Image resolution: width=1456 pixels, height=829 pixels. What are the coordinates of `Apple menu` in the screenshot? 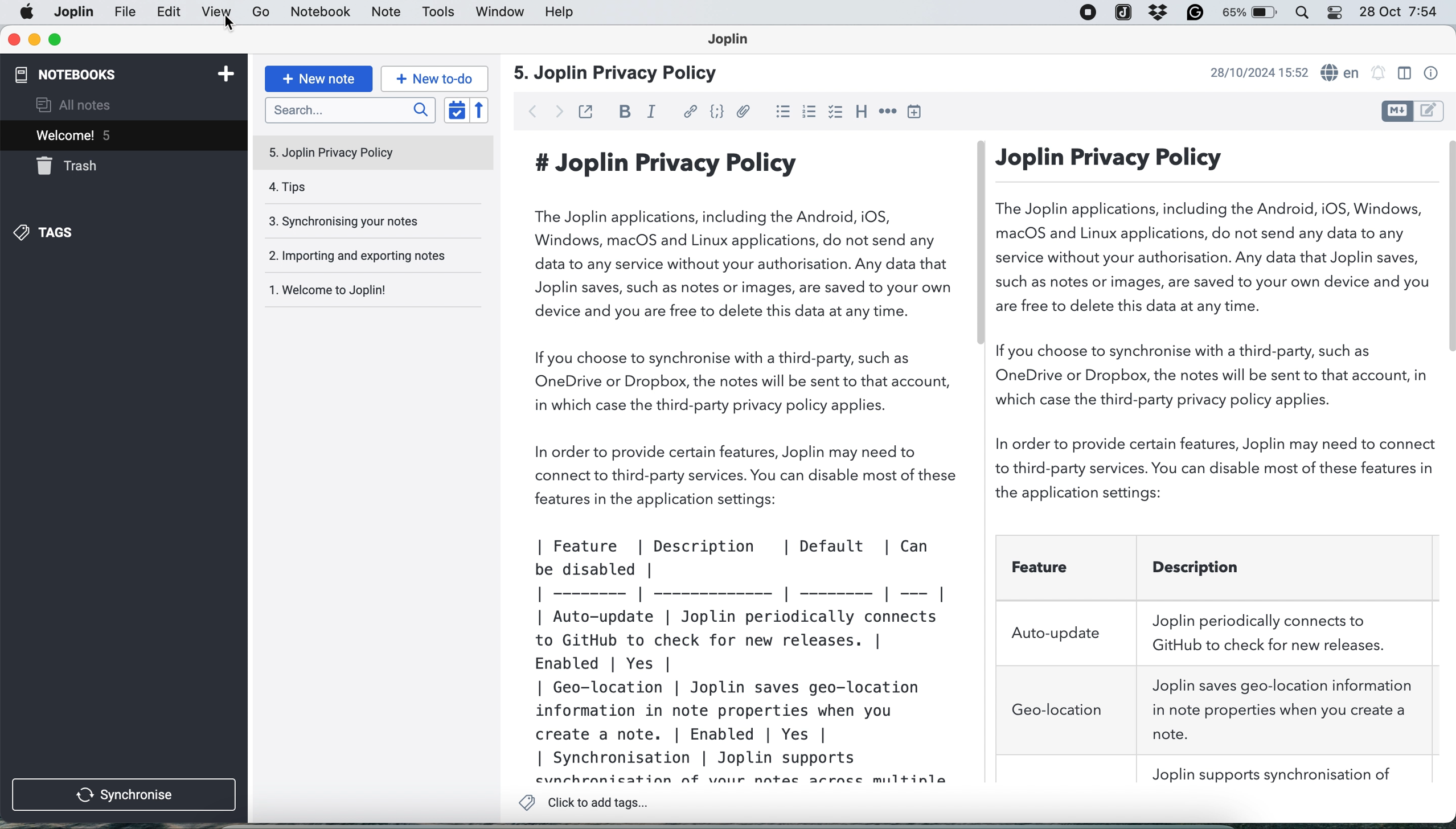 It's located at (28, 12).